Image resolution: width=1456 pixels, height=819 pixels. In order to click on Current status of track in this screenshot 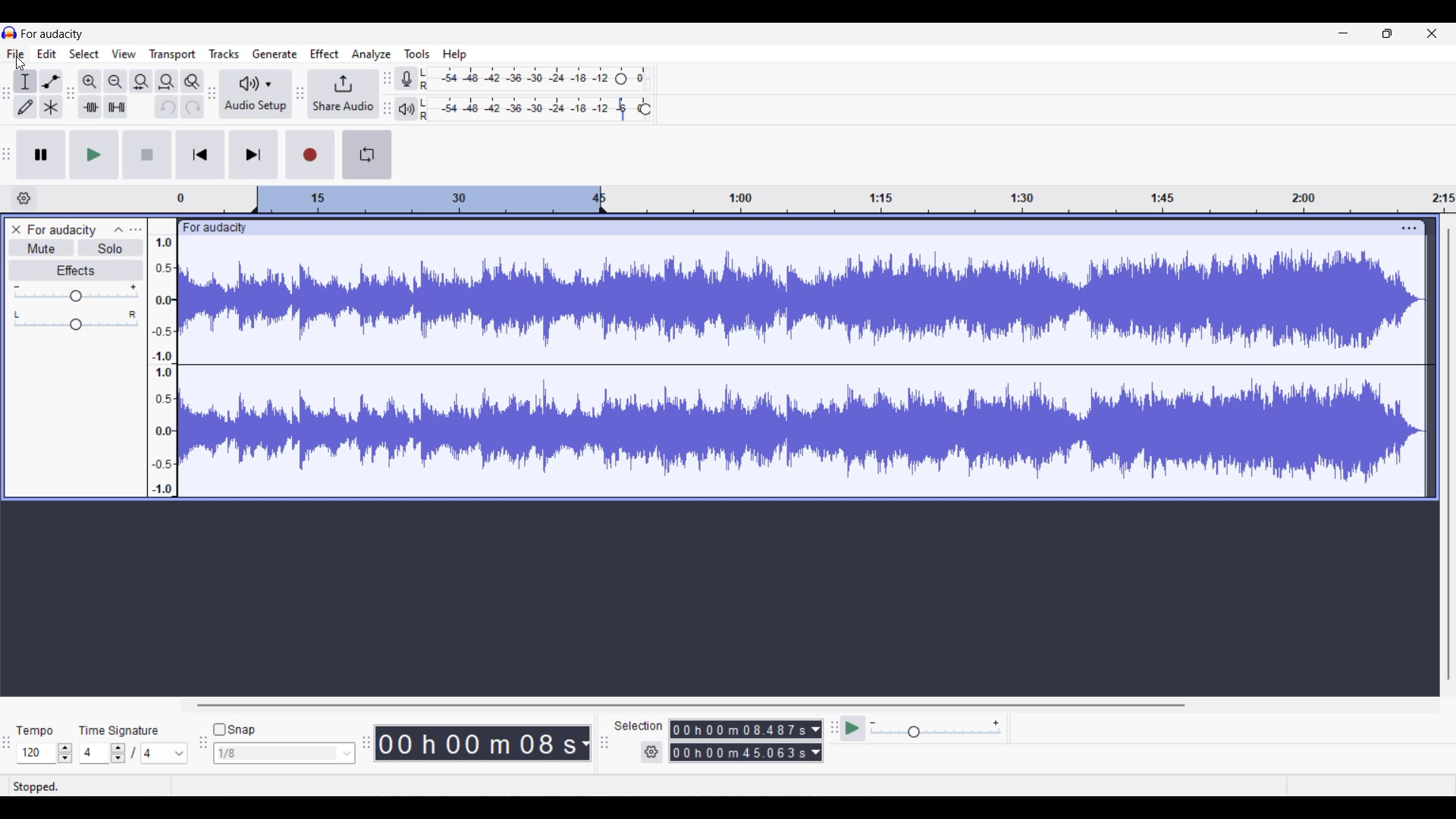, I will do `click(36, 786)`.